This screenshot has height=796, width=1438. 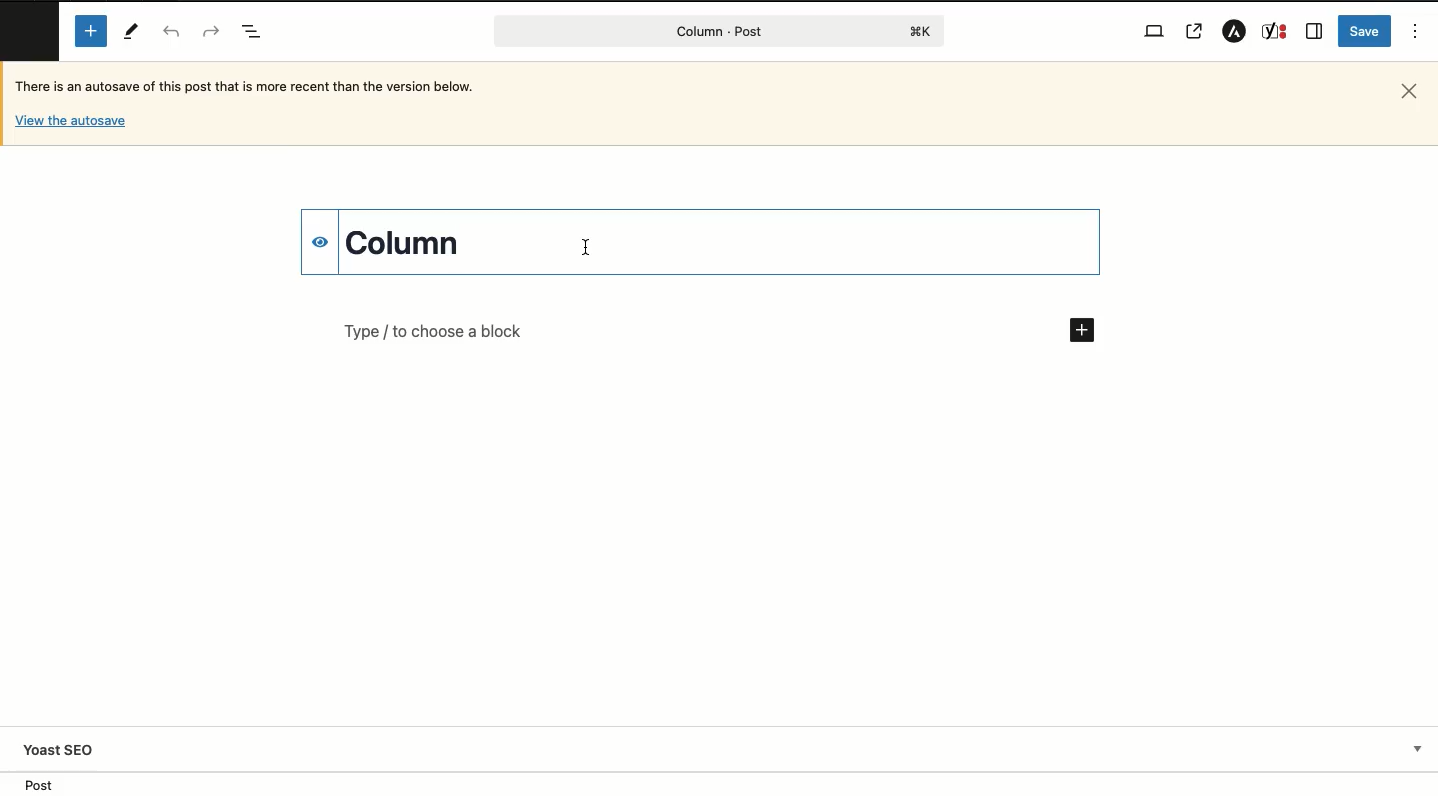 What do you see at coordinates (585, 248) in the screenshot?
I see `Typing` at bounding box center [585, 248].